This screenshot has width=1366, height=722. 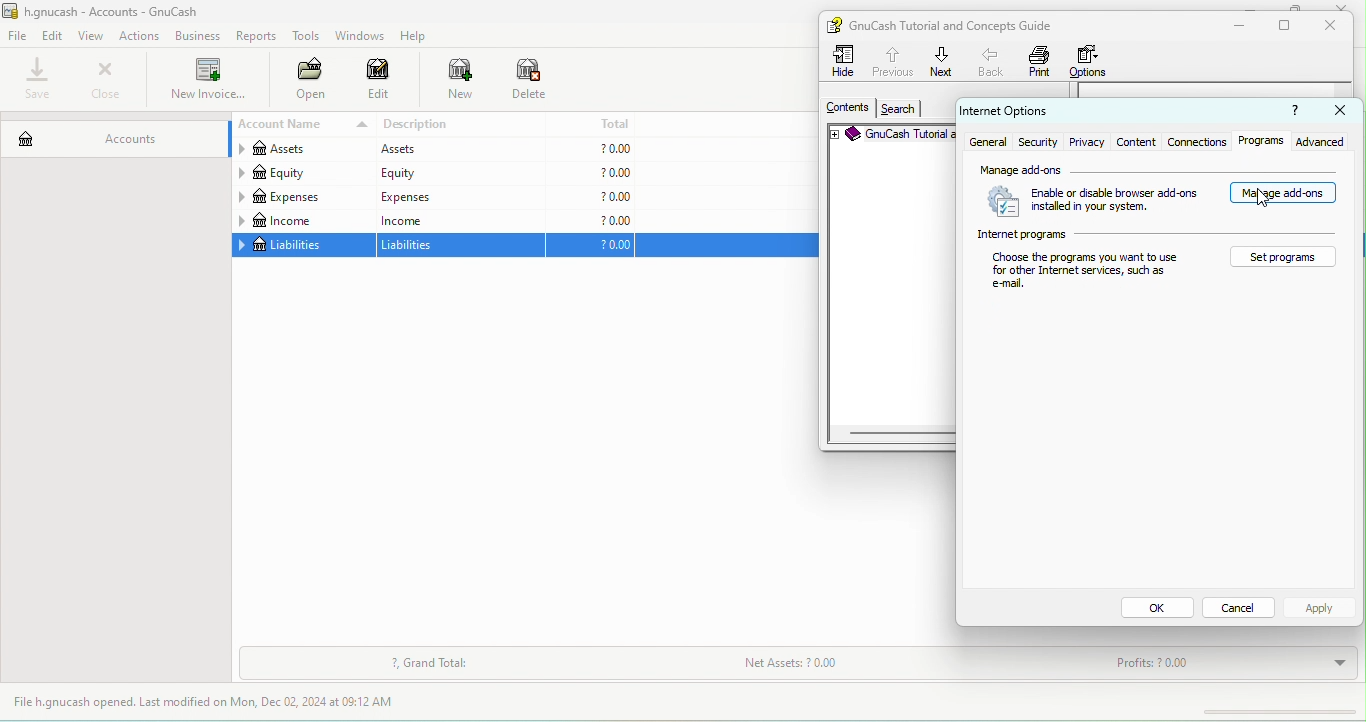 What do you see at coordinates (1093, 61) in the screenshot?
I see `options` at bounding box center [1093, 61].